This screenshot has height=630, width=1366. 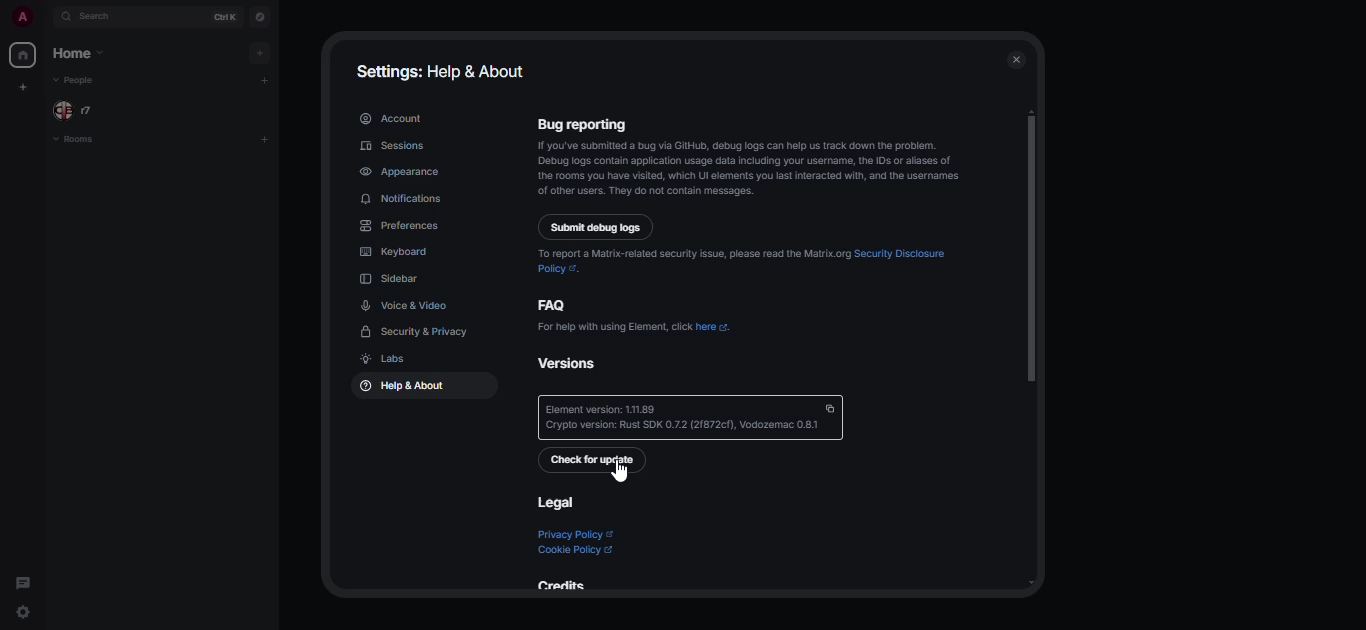 I want to click on sessions, so click(x=394, y=145).